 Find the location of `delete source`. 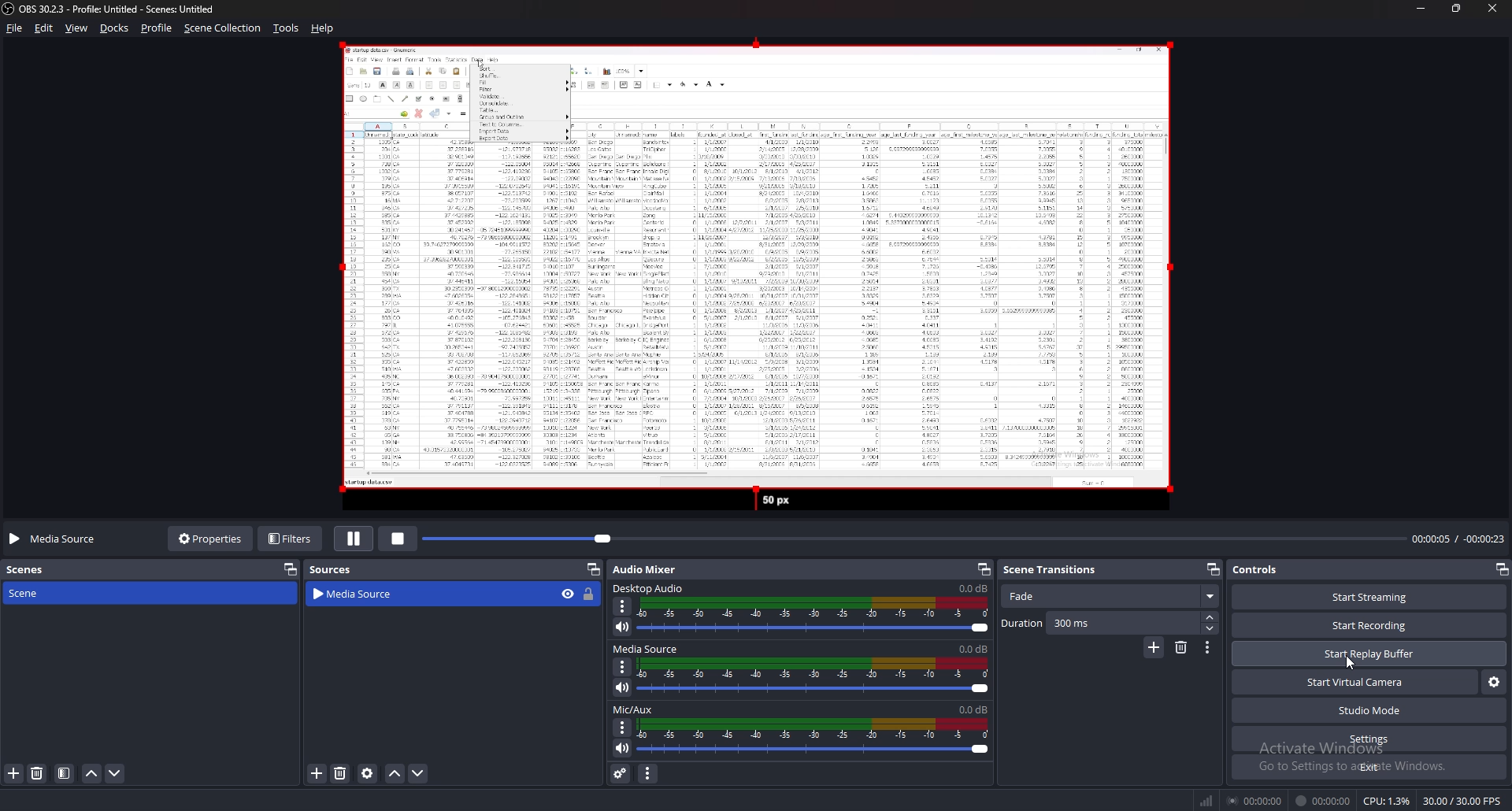

delete source is located at coordinates (341, 772).